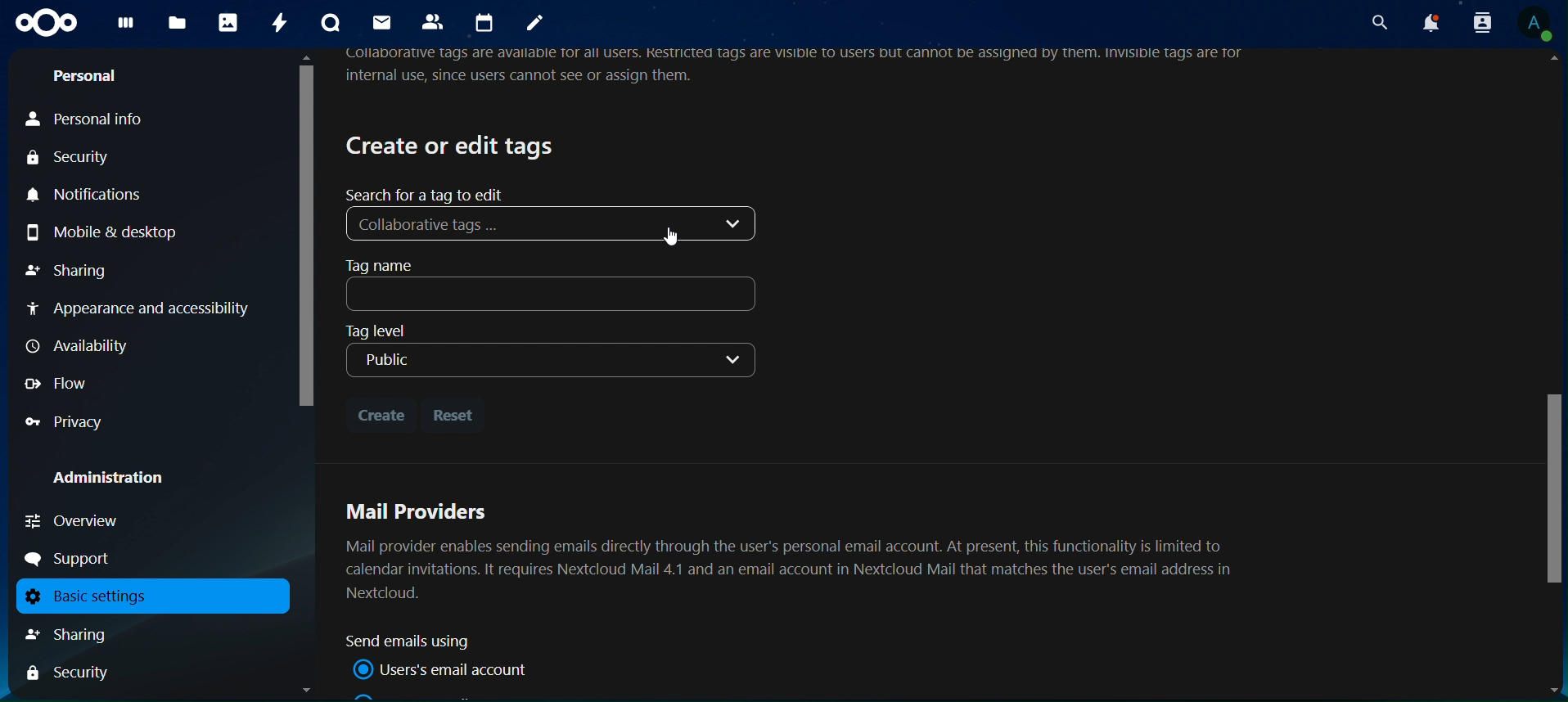  What do you see at coordinates (393, 330) in the screenshot?
I see `tag level` at bounding box center [393, 330].